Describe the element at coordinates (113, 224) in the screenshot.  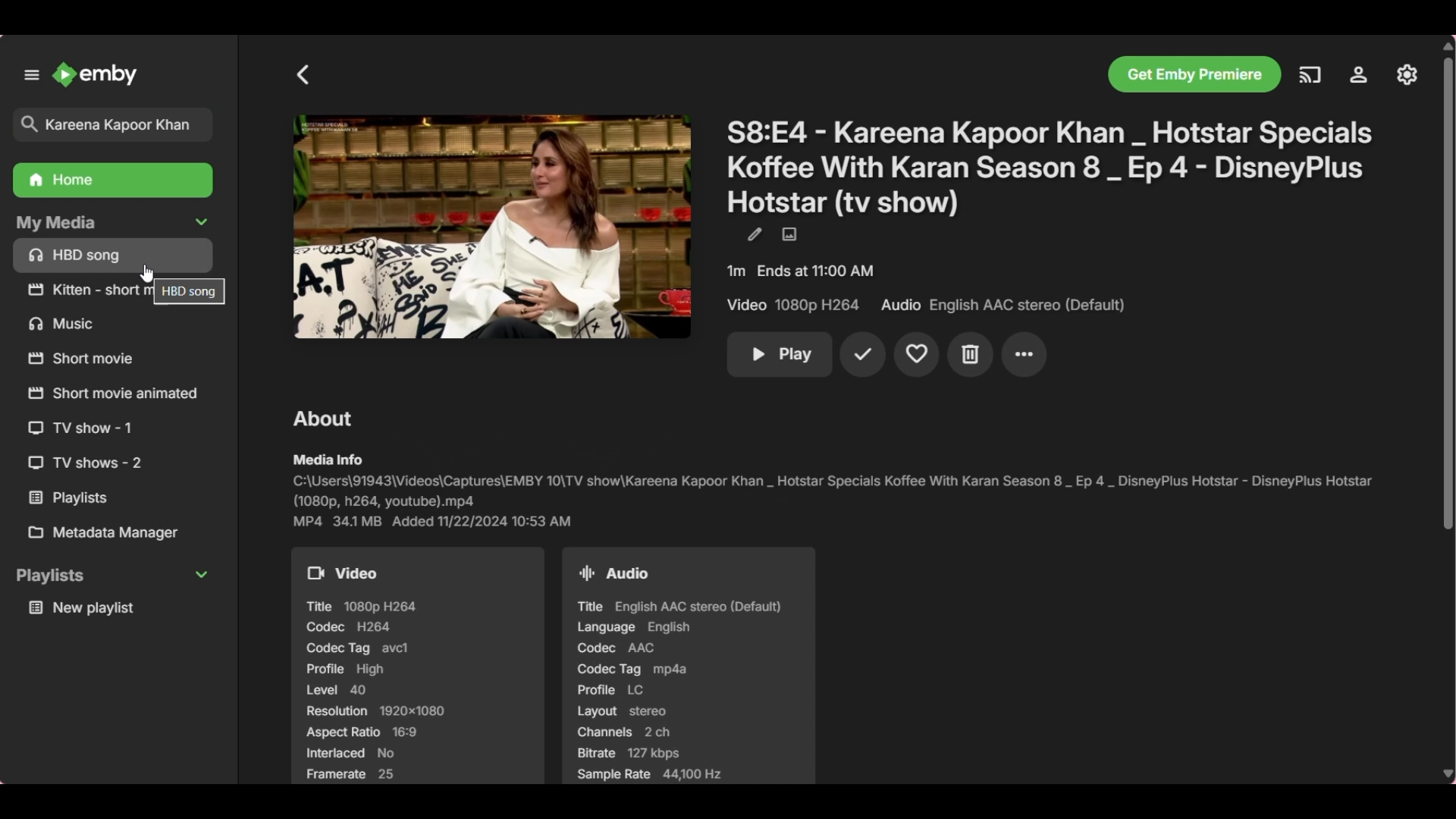
I see `Collapse My Media` at that location.